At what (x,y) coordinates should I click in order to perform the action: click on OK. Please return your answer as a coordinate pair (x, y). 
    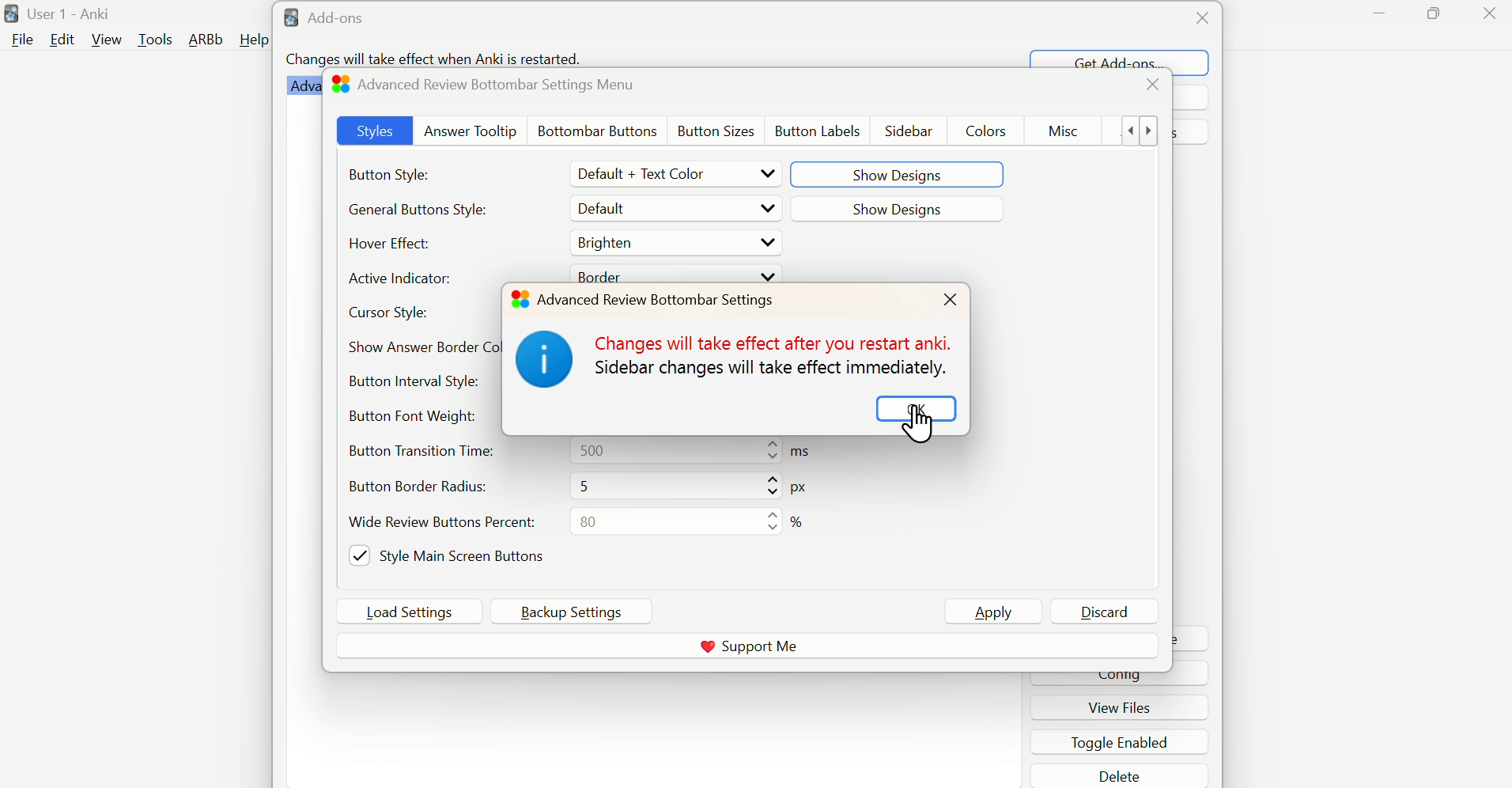
    Looking at the image, I should click on (915, 421).